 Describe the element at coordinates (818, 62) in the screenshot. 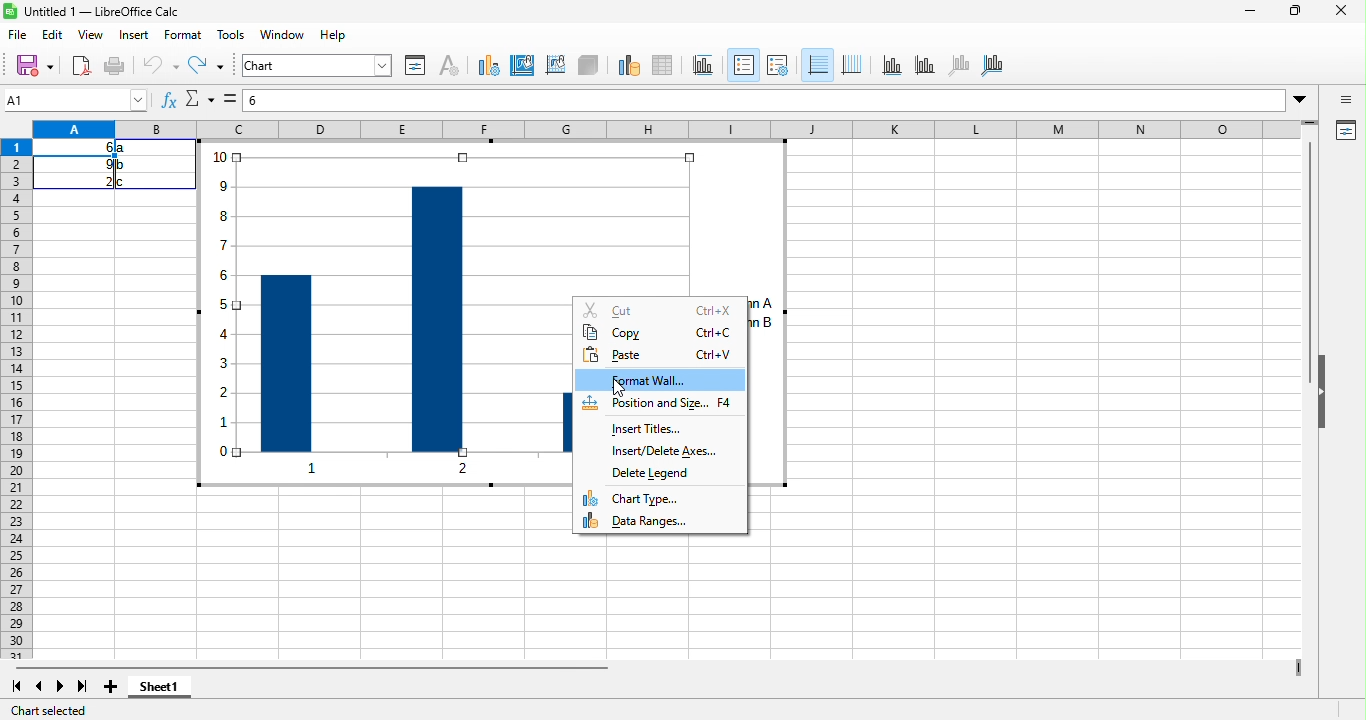

I see `horizontal grid` at that location.